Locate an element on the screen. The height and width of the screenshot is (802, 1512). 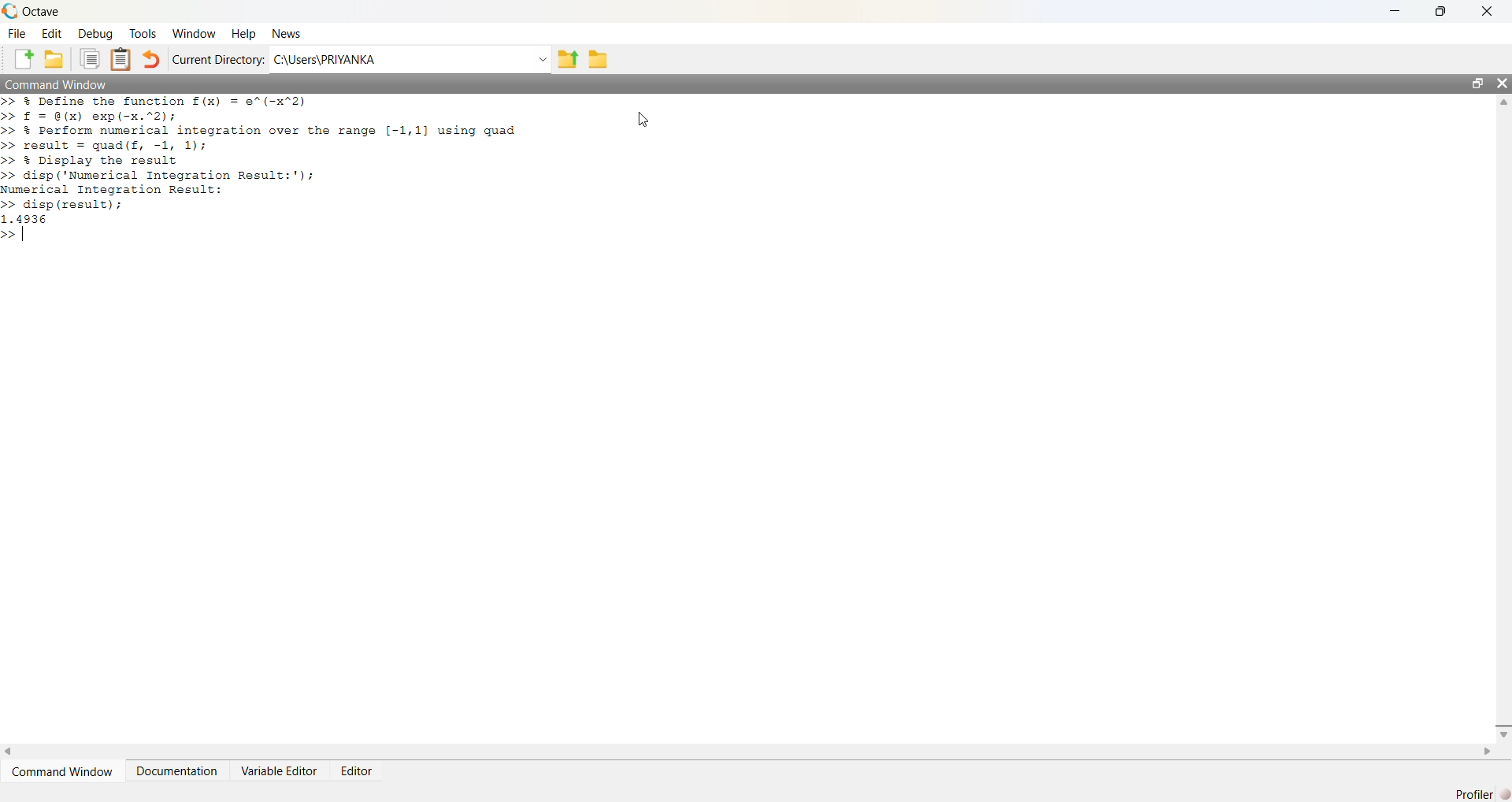
Command Window is located at coordinates (55, 84).